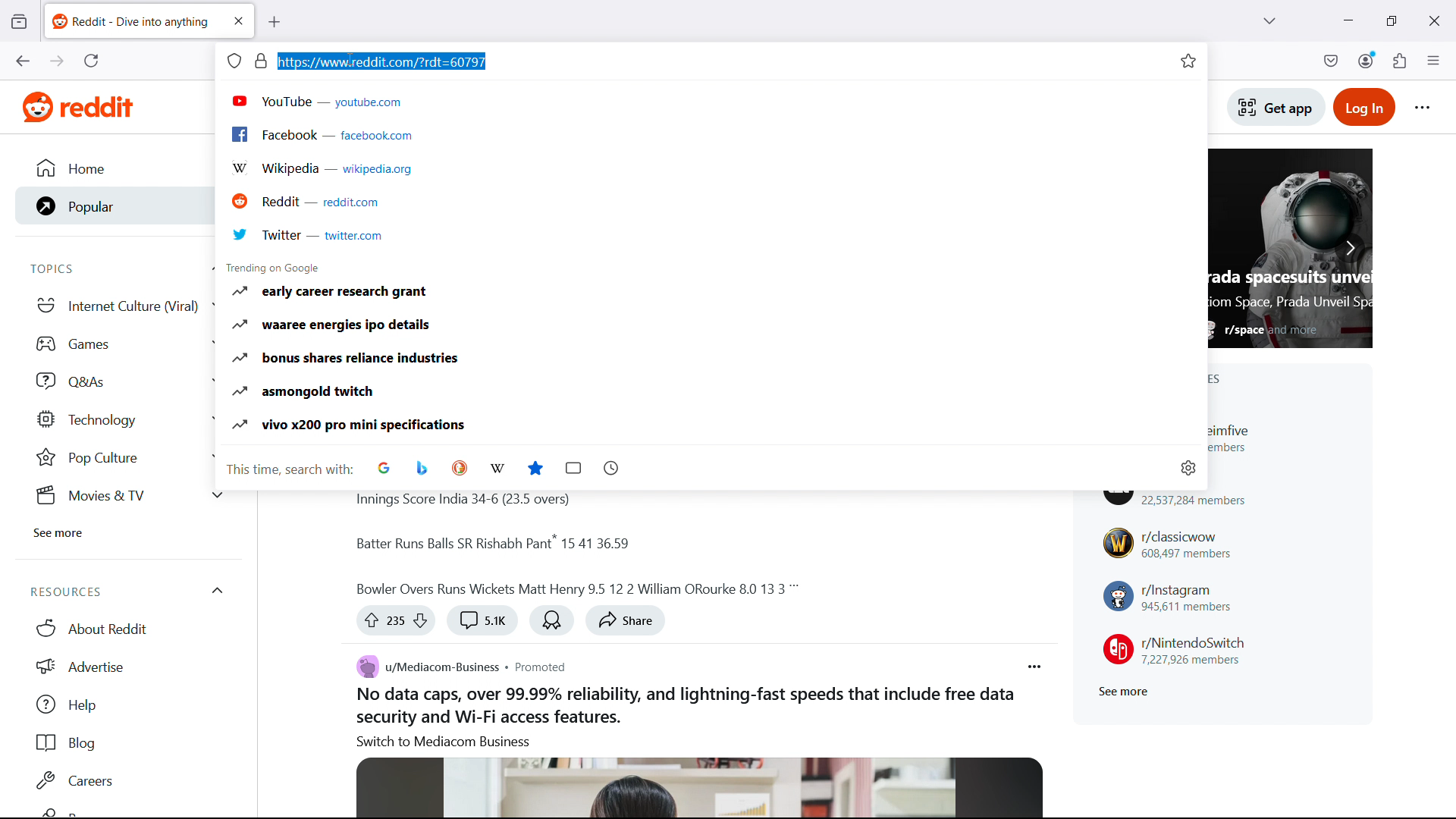 The height and width of the screenshot is (819, 1456). What do you see at coordinates (238, 20) in the screenshot?
I see `close tab` at bounding box center [238, 20].